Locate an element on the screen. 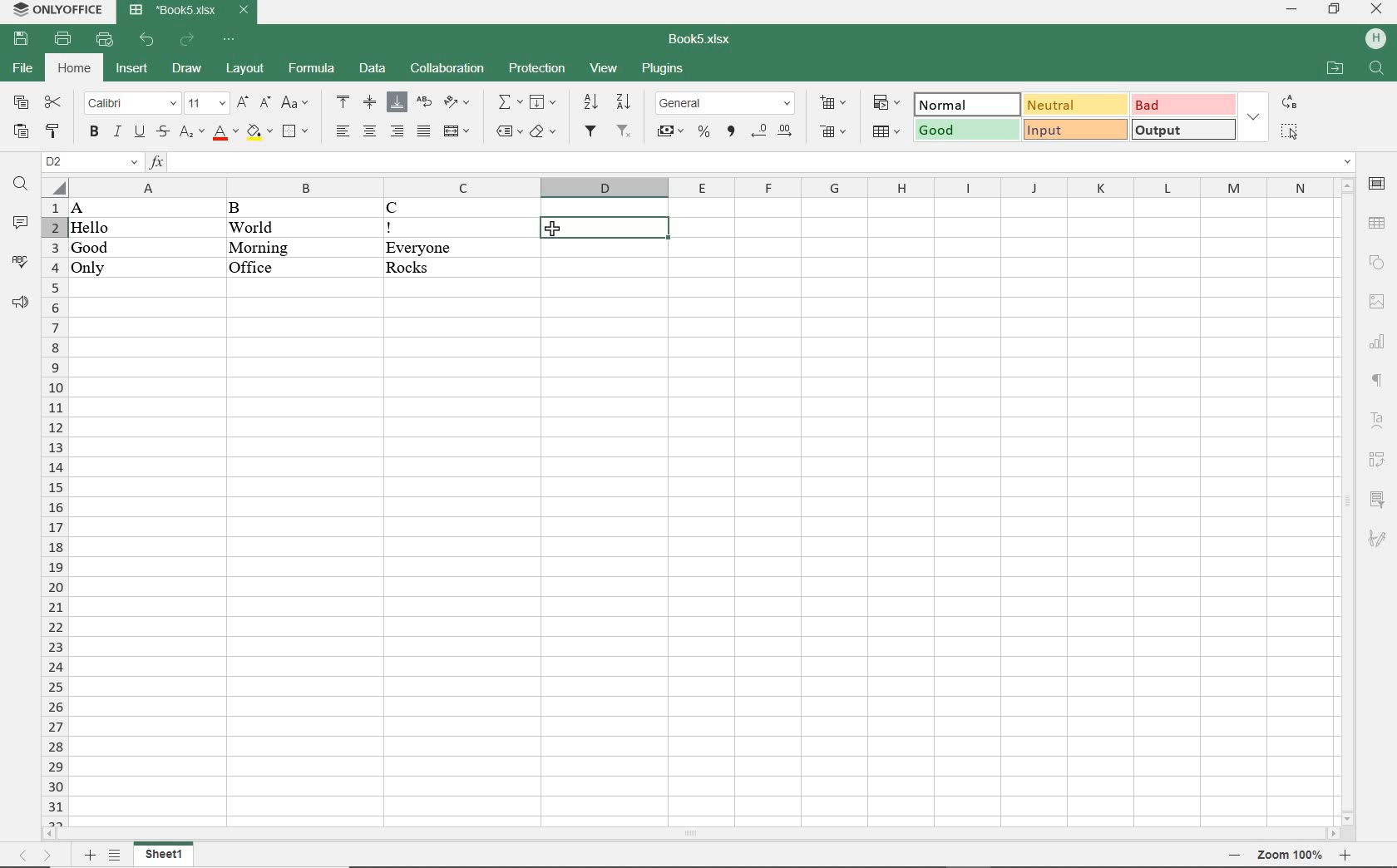  conditional formatting is located at coordinates (883, 102).